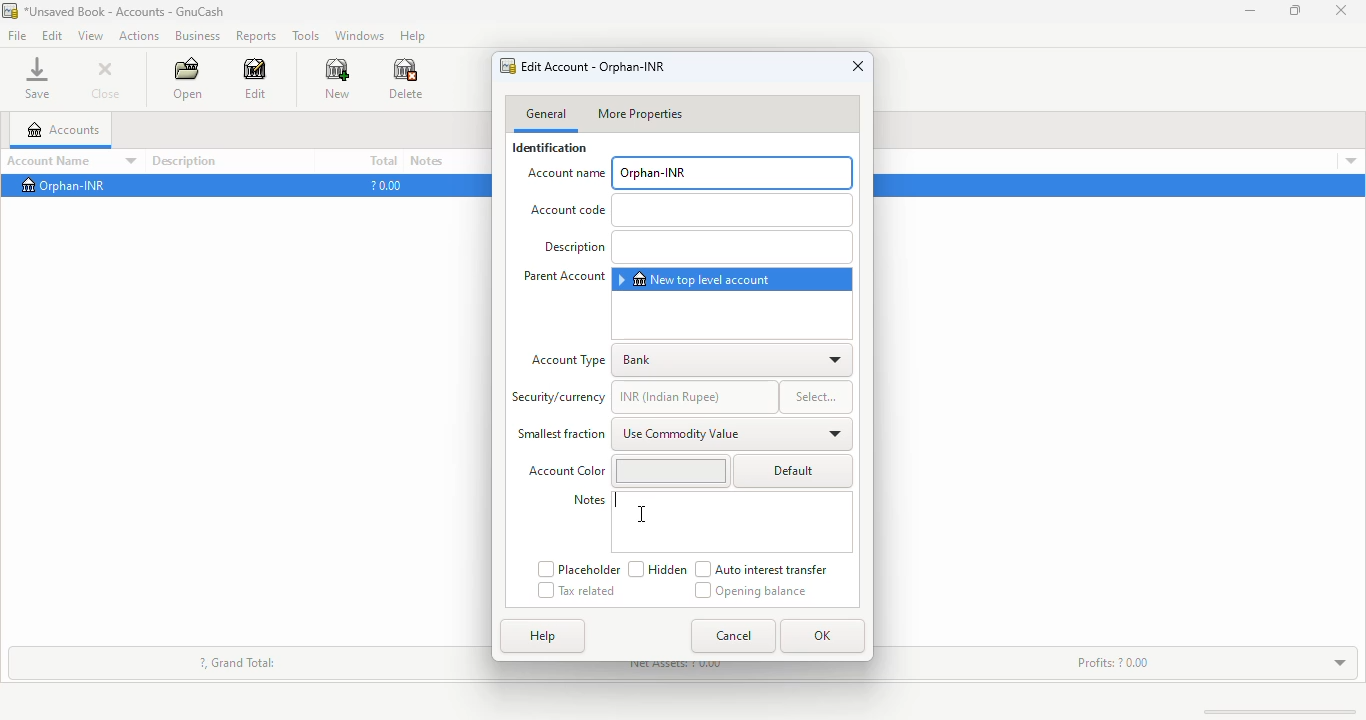 The width and height of the screenshot is (1366, 720). What do you see at coordinates (1250, 10) in the screenshot?
I see `minimize` at bounding box center [1250, 10].